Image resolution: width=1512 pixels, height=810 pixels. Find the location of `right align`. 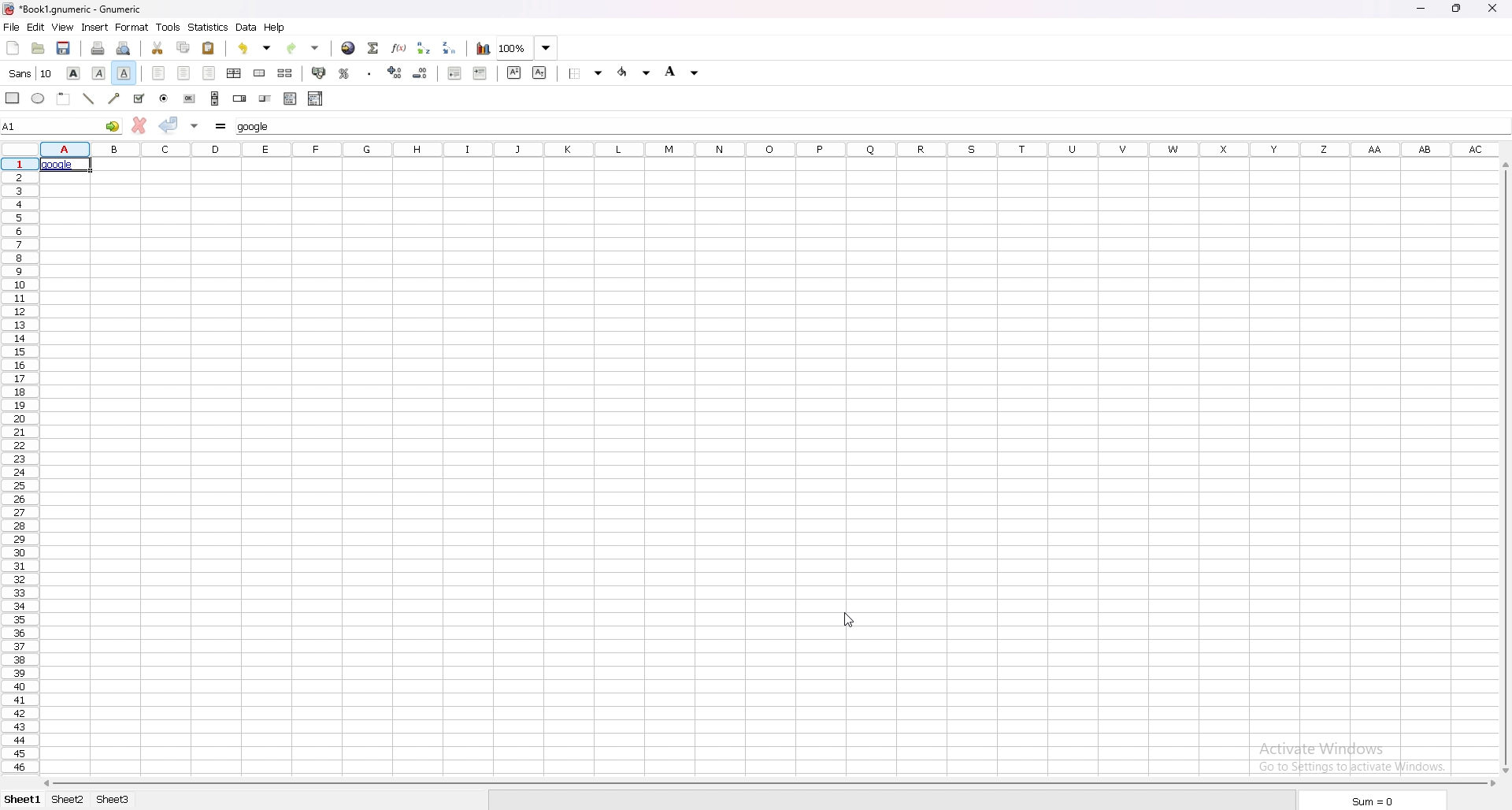

right align is located at coordinates (208, 72).